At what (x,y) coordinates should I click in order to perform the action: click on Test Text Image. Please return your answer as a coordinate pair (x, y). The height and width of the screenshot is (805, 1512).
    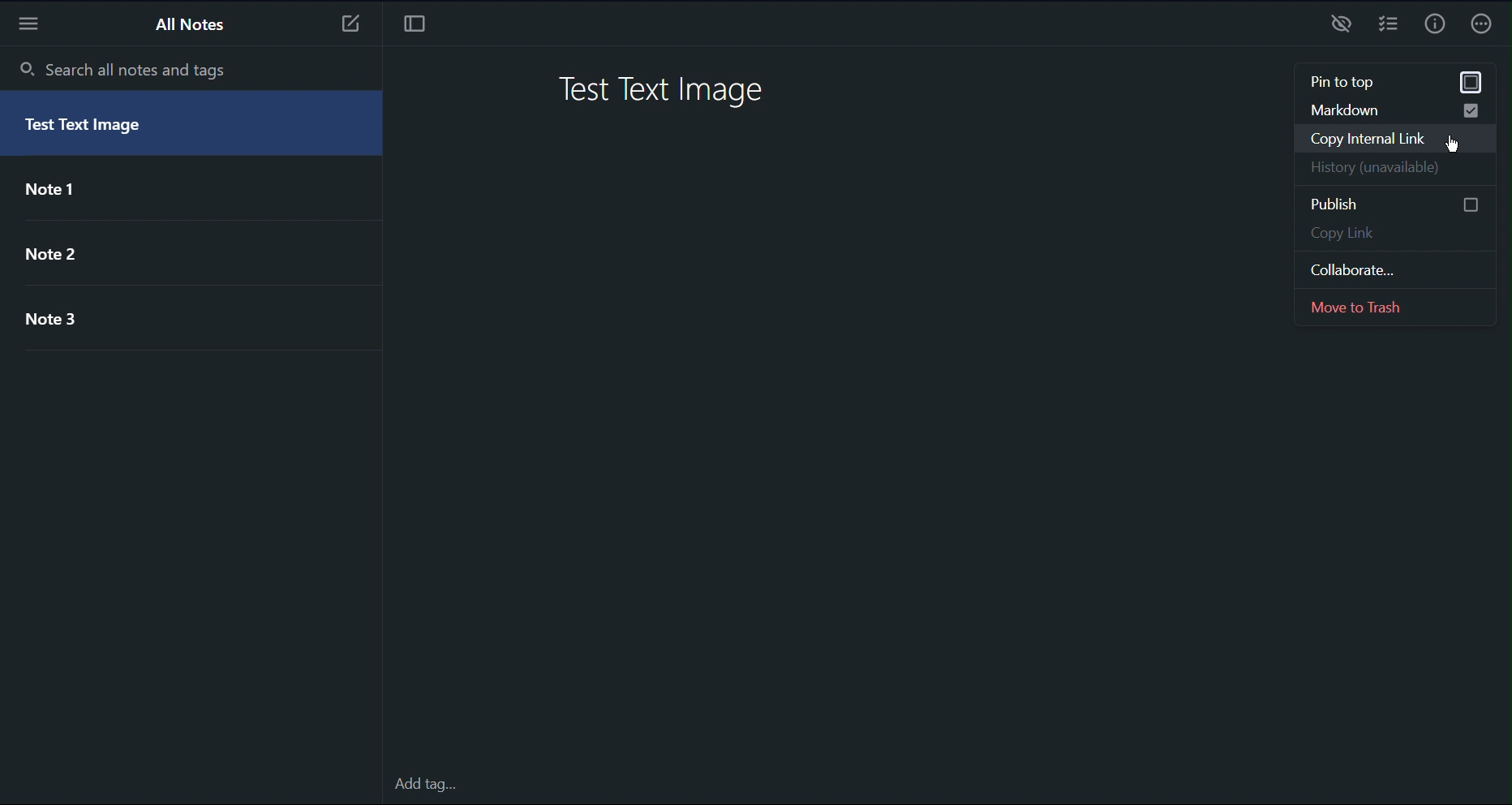
    Looking at the image, I should click on (668, 91).